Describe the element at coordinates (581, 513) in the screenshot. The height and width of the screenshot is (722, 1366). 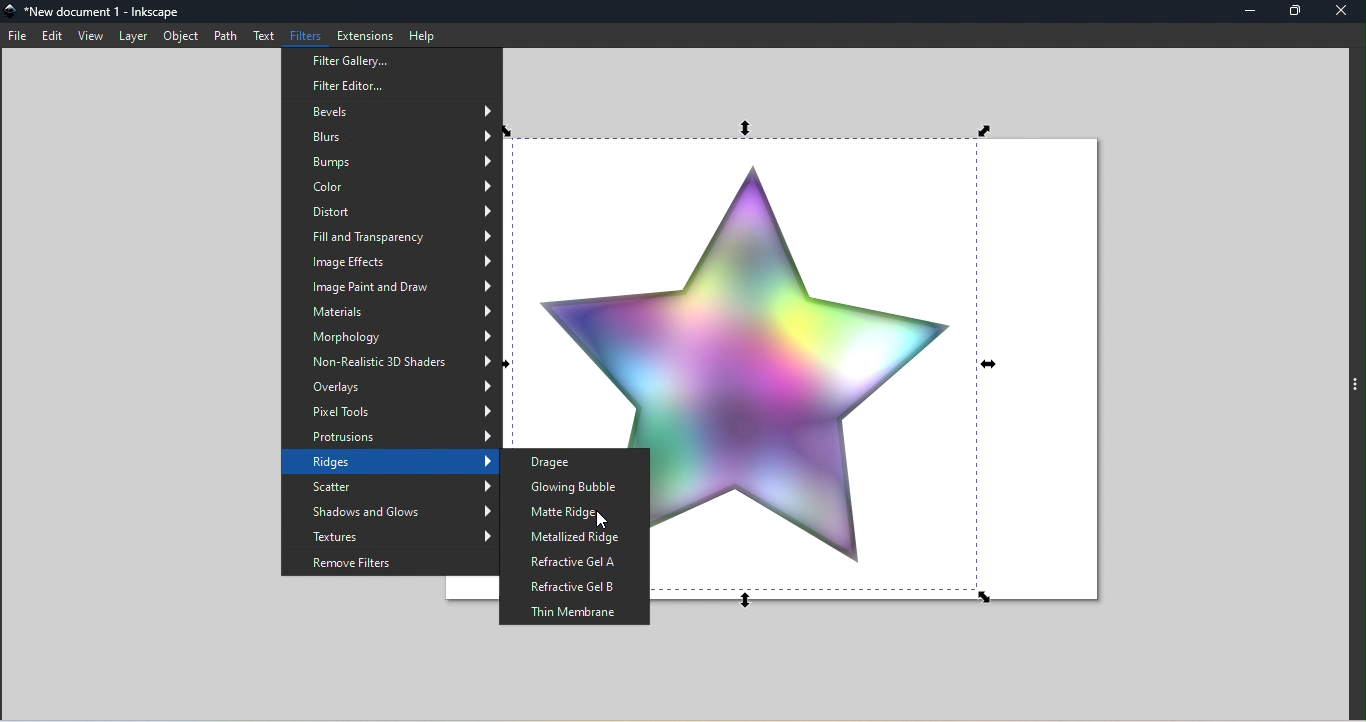
I see `Matte  Ridge` at that location.